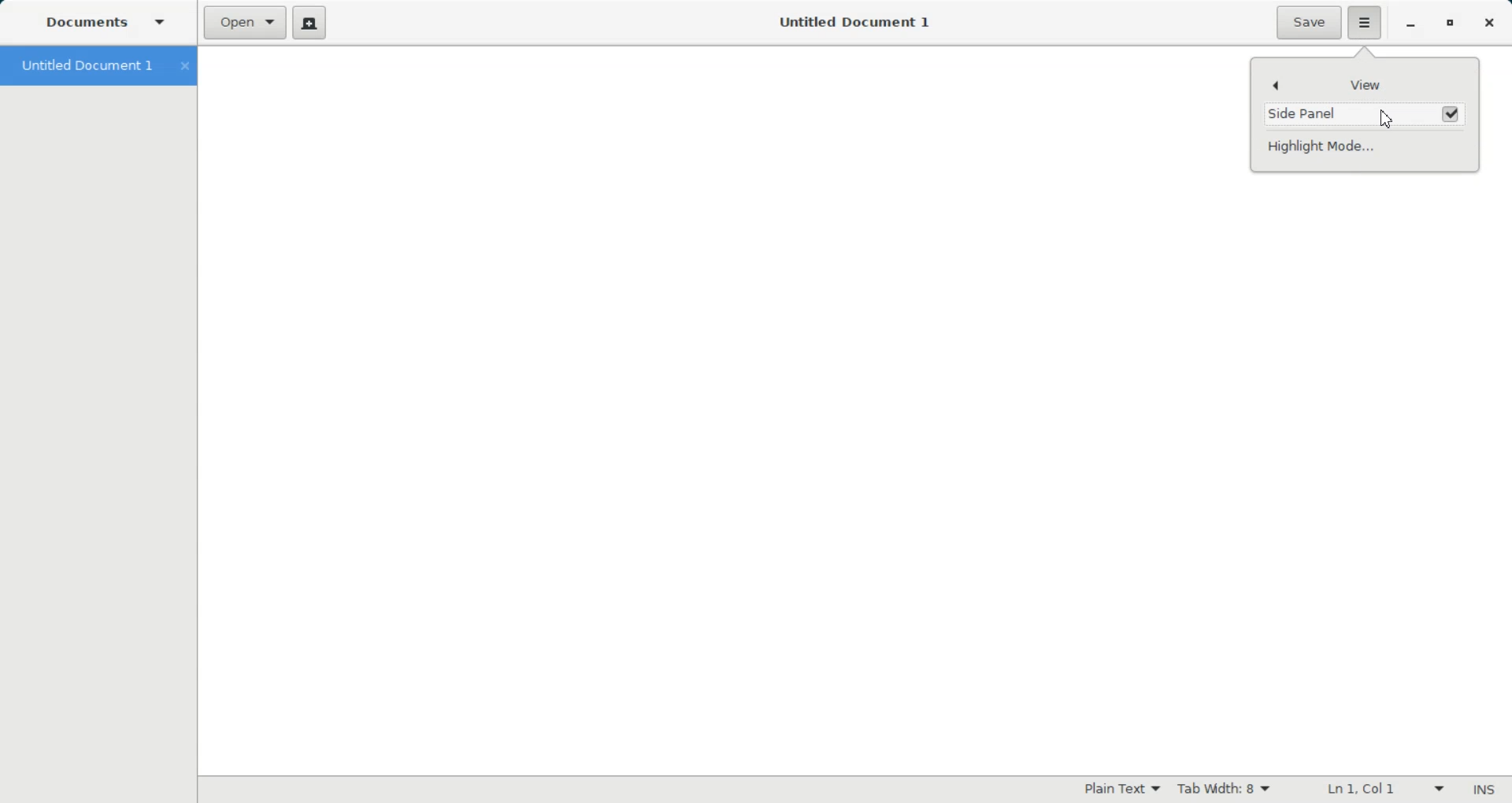 The image size is (1512, 803). Describe the element at coordinates (245, 23) in the screenshot. I see `Open a file` at that location.